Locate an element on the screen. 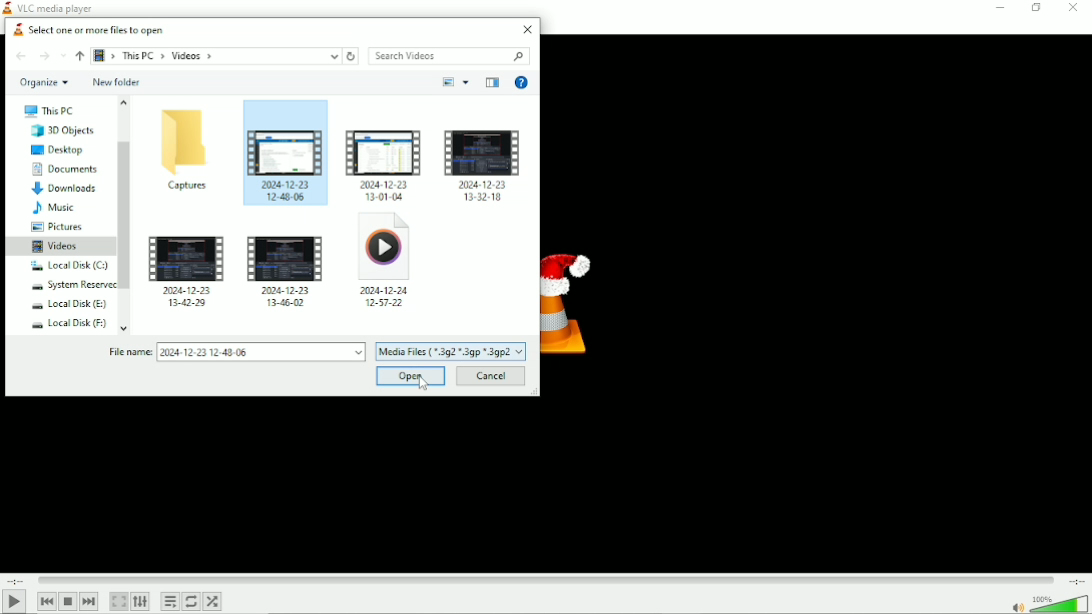 This screenshot has height=614, width=1092. Forward is located at coordinates (43, 56).